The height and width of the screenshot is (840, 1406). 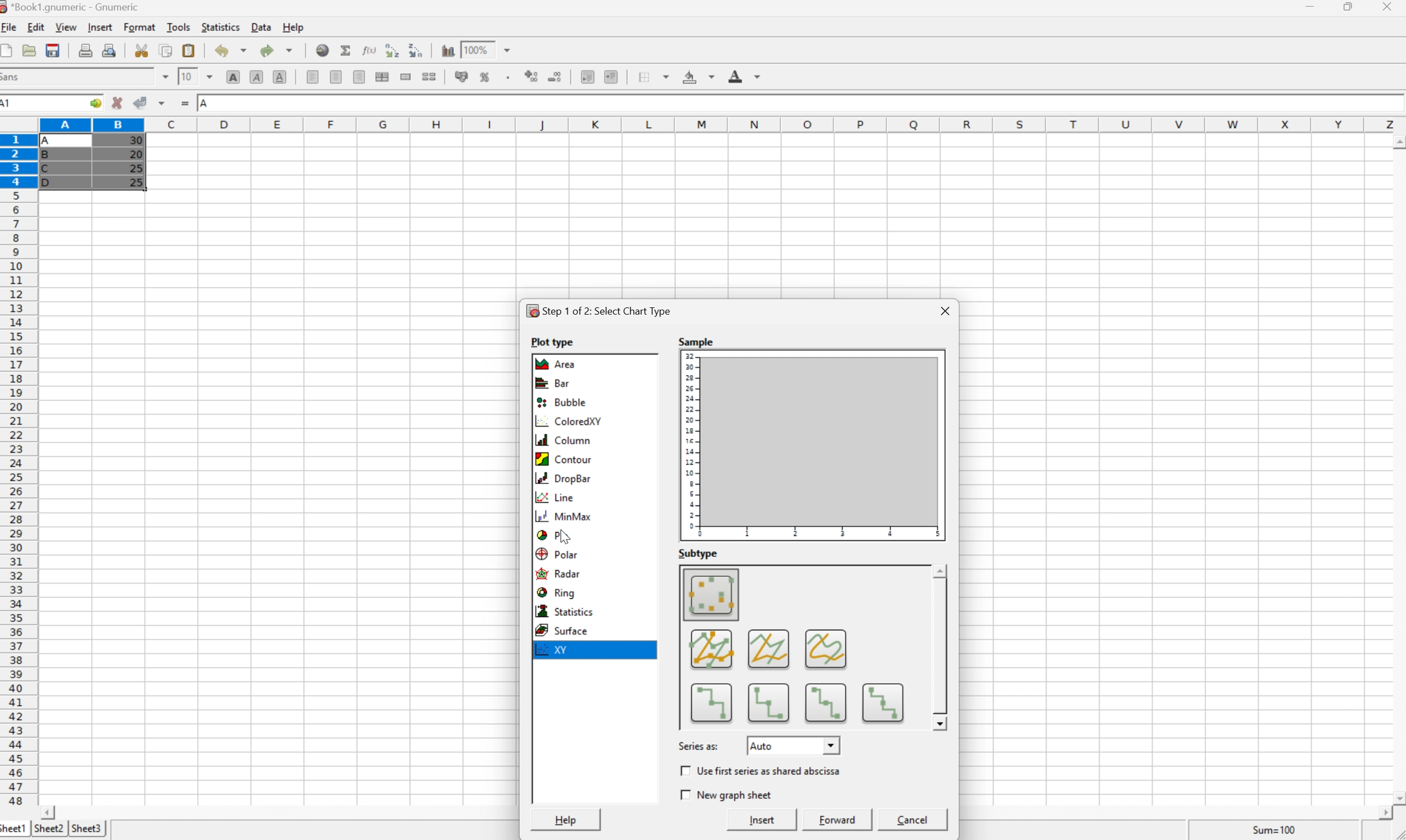 What do you see at coordinates (187, 76) in the screenshot?
I see `10` at bounding box center [187, 76].